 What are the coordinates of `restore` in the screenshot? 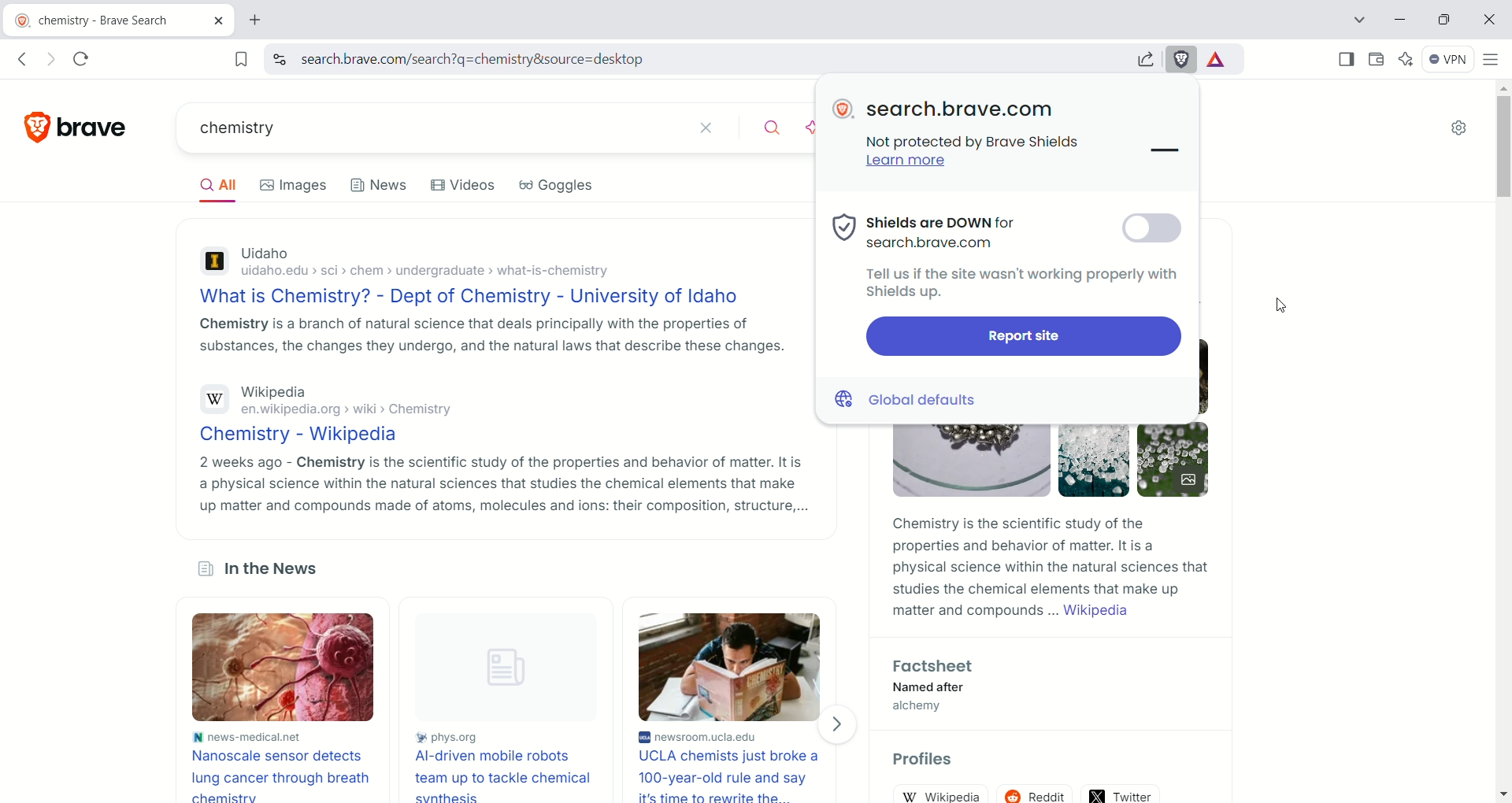 It's located at (1444, 19).